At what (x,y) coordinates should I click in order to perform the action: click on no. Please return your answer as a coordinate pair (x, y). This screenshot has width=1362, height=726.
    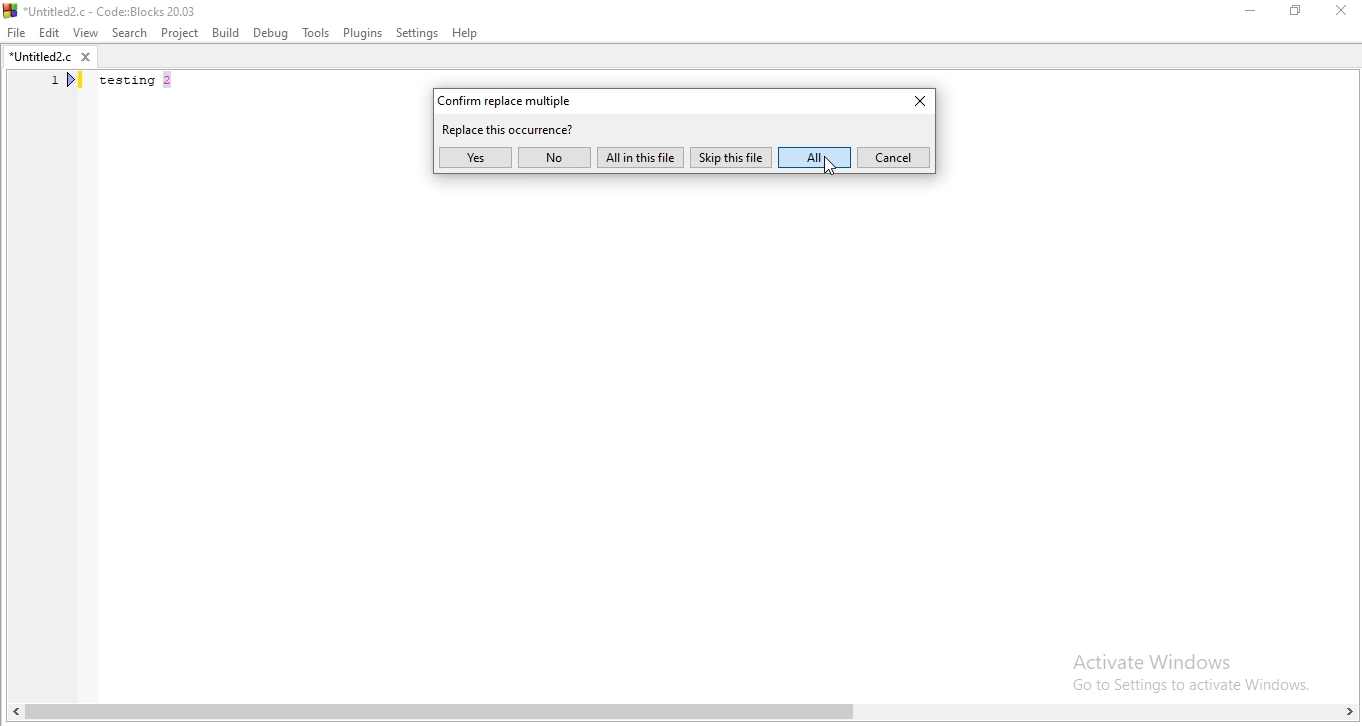
    Looking at the image, I should click on (555, 157).